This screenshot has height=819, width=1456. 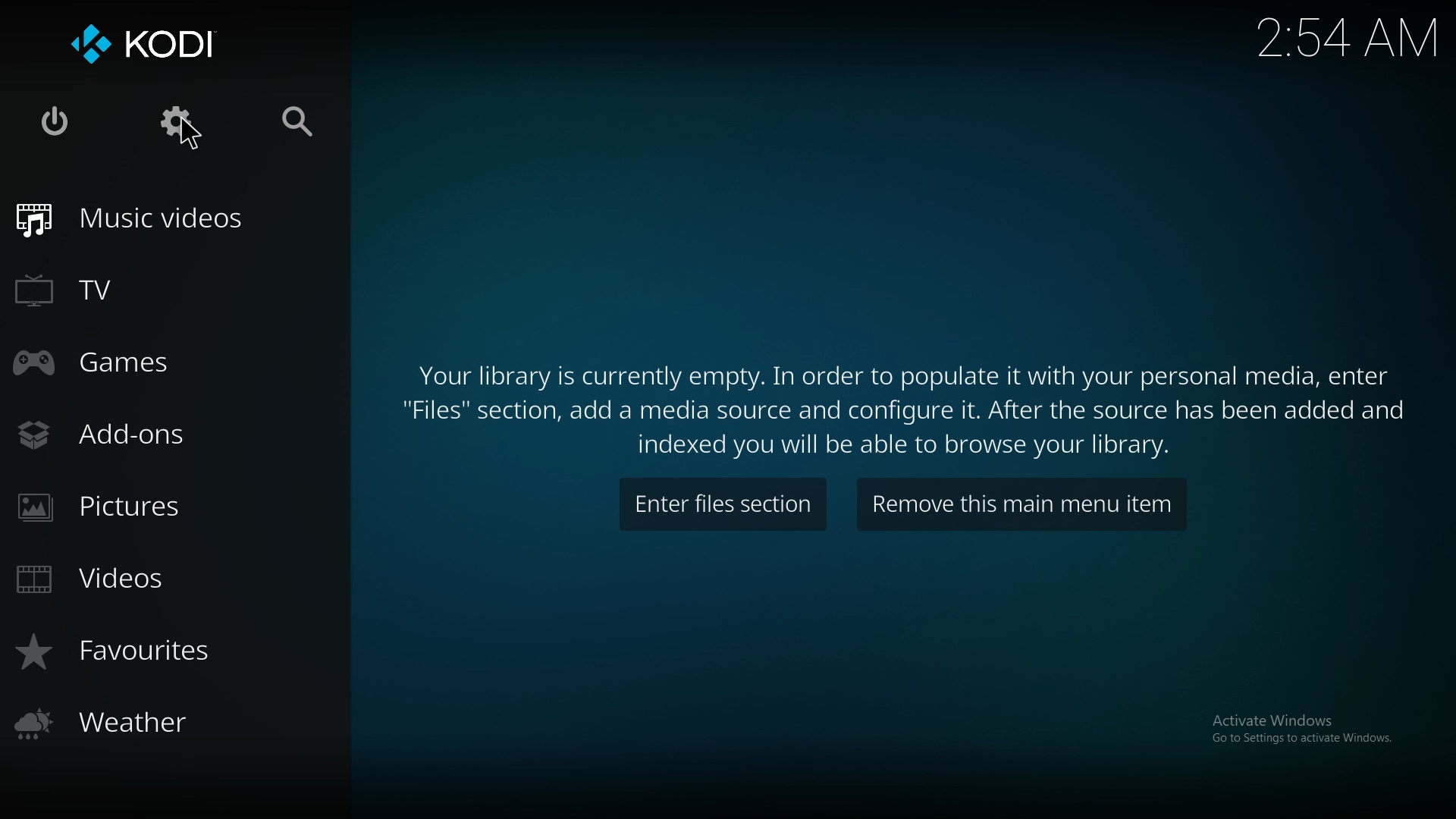 I want to click on remove item, so click(x=1019, y=503).